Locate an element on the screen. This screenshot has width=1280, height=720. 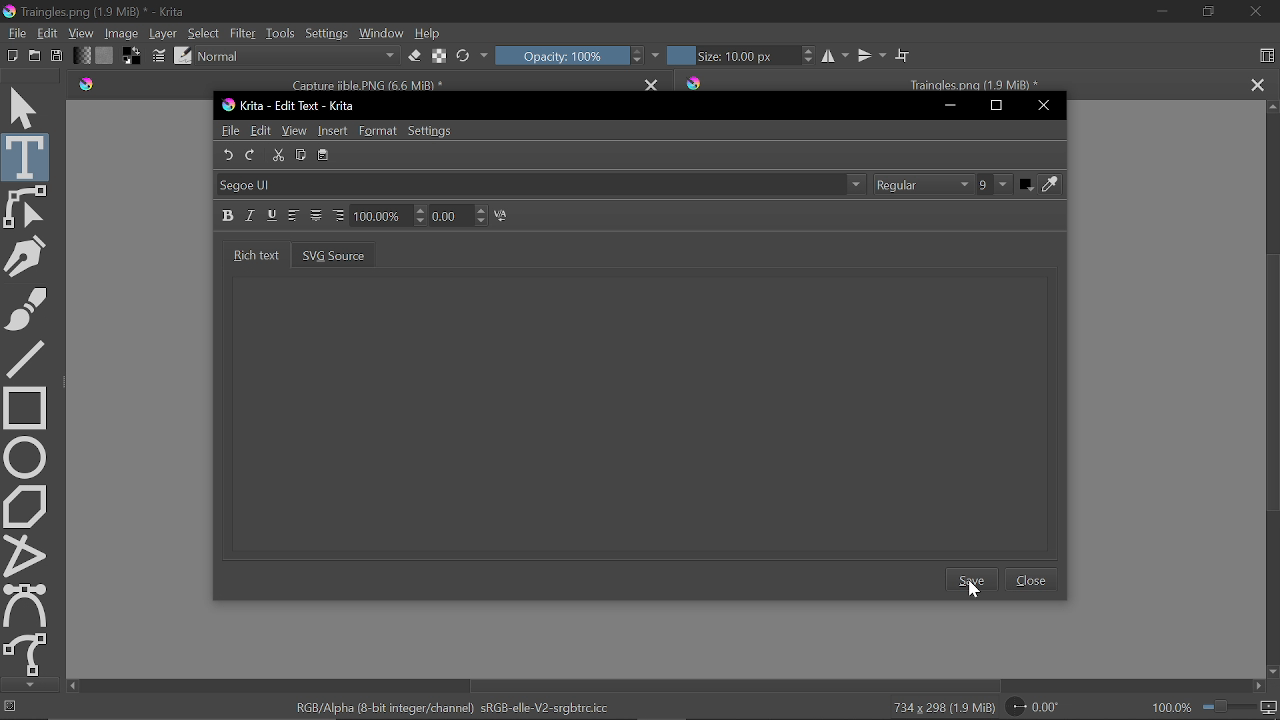
Traingles.png (1.9 MiB) * is located at coordinates (958, 81).